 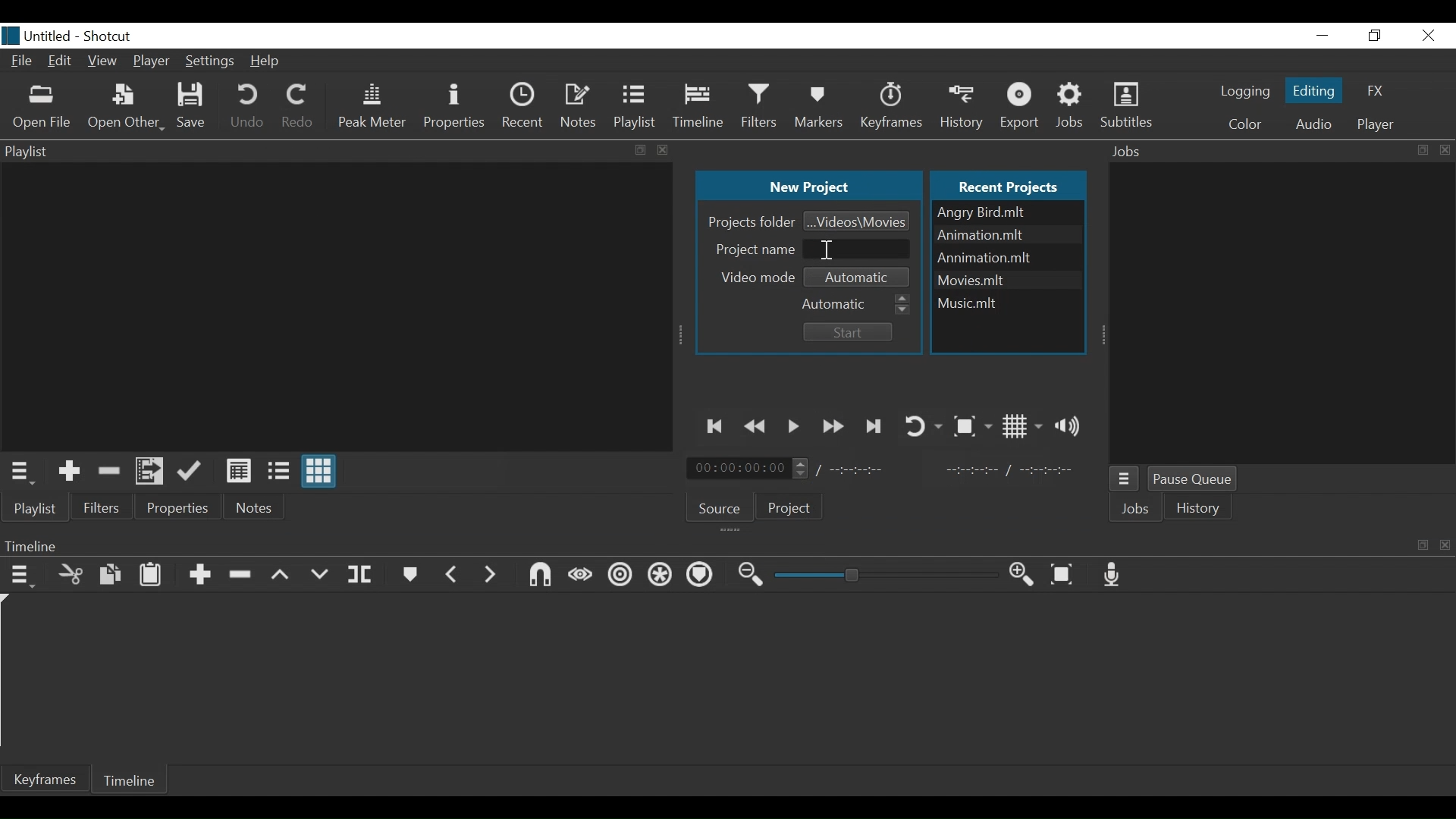 I want to click on Next Marker, so click(x=491, y=573).